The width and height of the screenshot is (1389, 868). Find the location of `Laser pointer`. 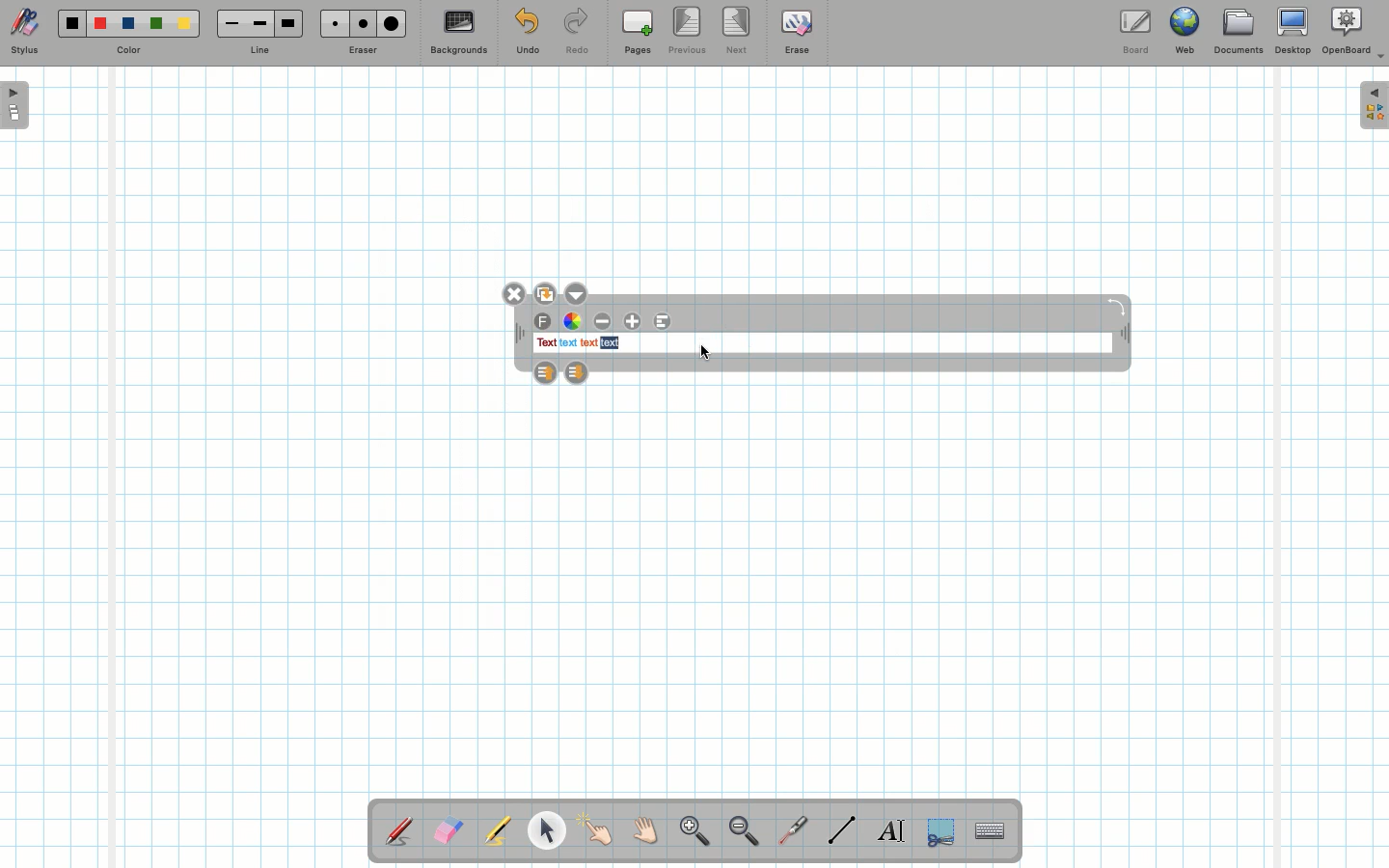

Laser pointer is located at coordinates (789, 831).